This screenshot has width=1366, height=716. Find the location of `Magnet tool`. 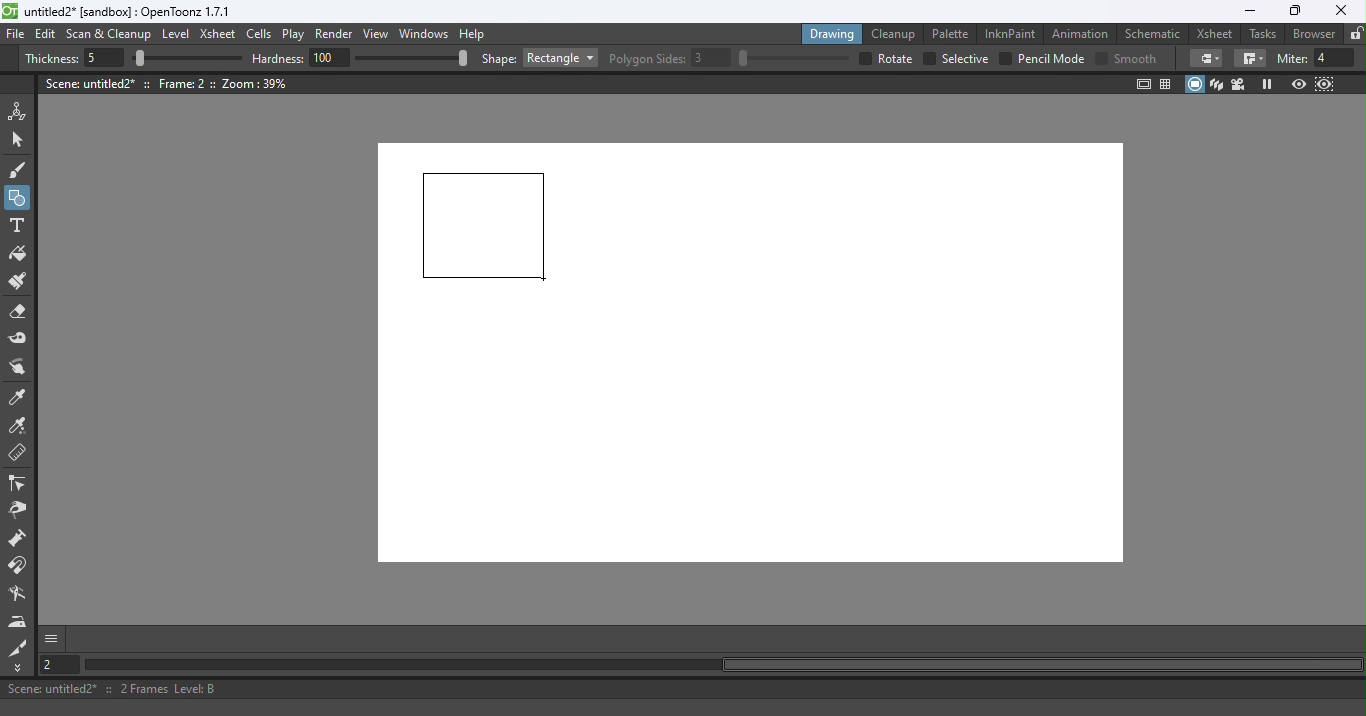

Magnet tool is located at coordinates (19, 566).